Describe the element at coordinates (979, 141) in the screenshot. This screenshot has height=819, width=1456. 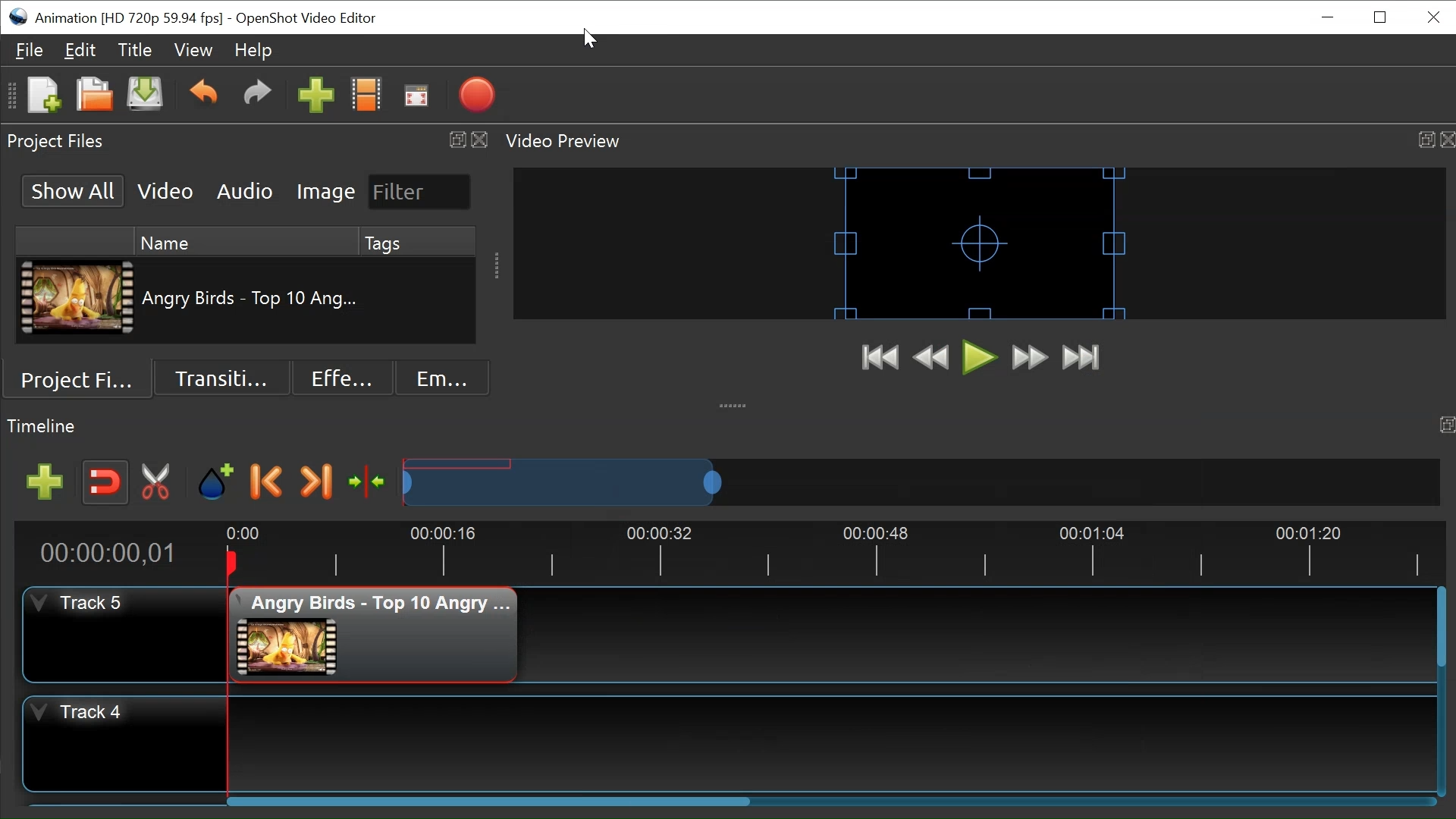
I see `Video Preview` at that location.